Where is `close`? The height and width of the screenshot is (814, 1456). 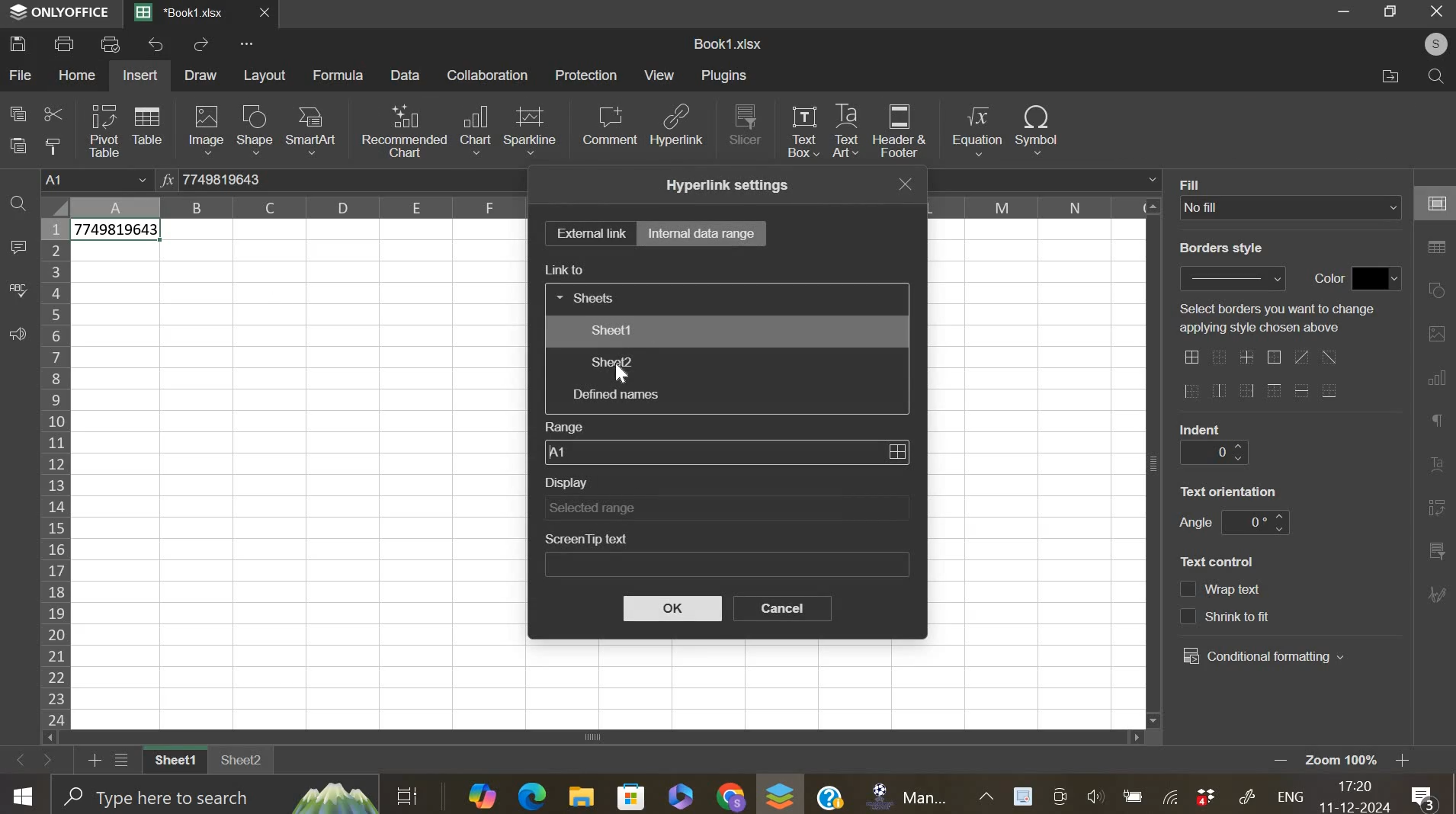
close is located at coordinates (273, 16).